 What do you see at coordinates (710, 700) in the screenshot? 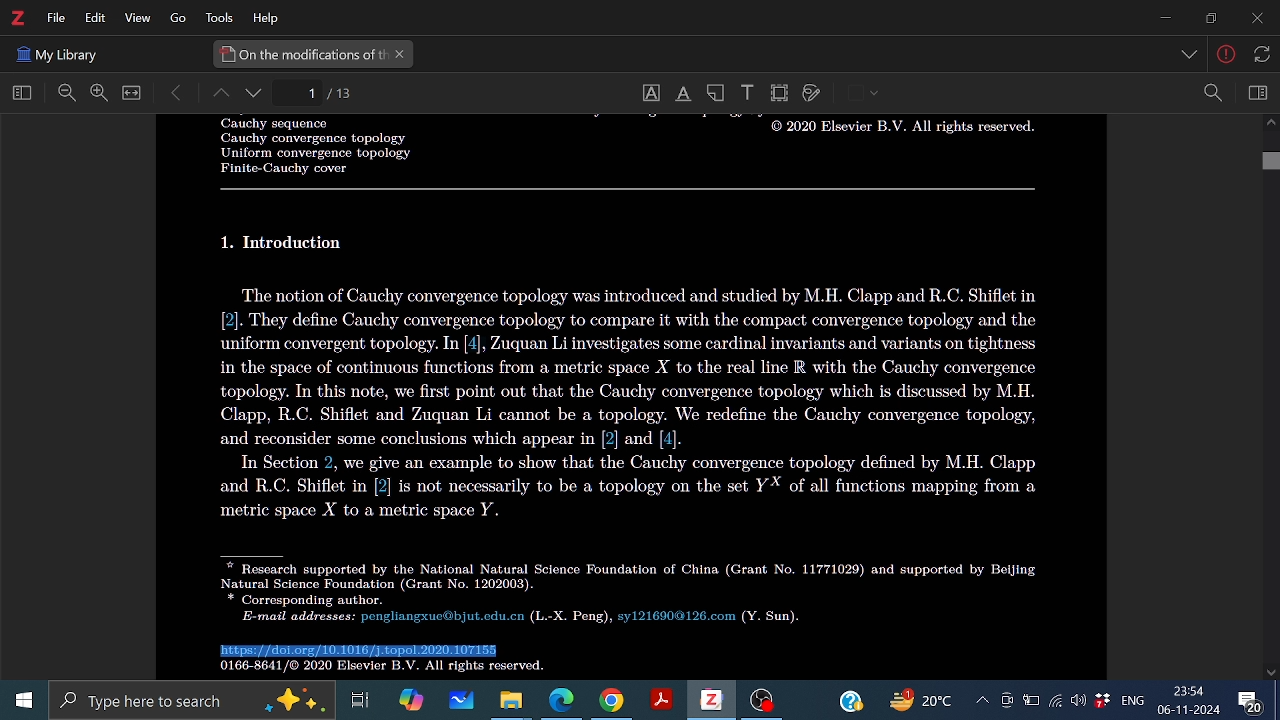
I see `Zotero` at bounding box center [710, 700].